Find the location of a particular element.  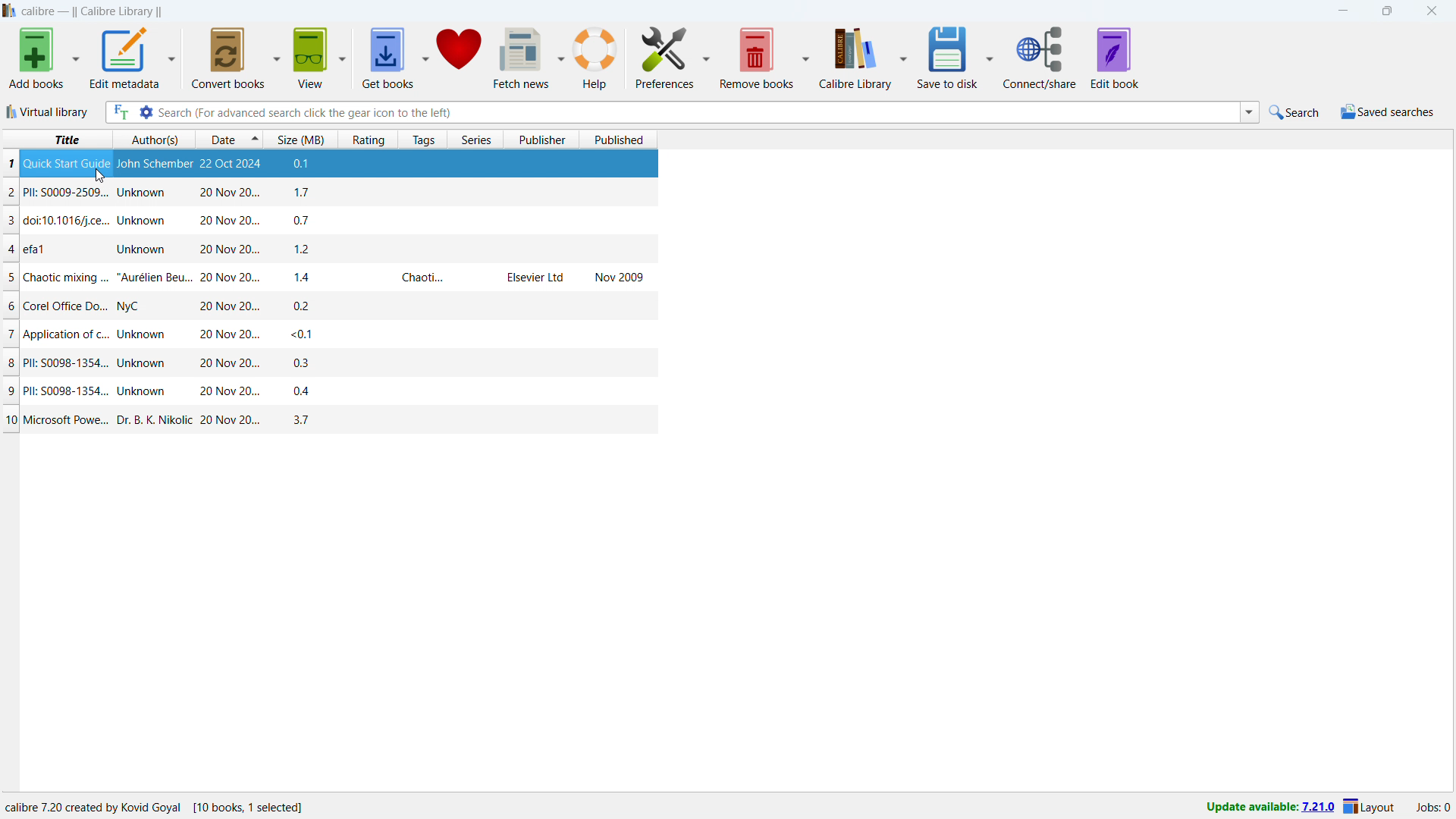

one book entry is located at coordinates (330, 419).